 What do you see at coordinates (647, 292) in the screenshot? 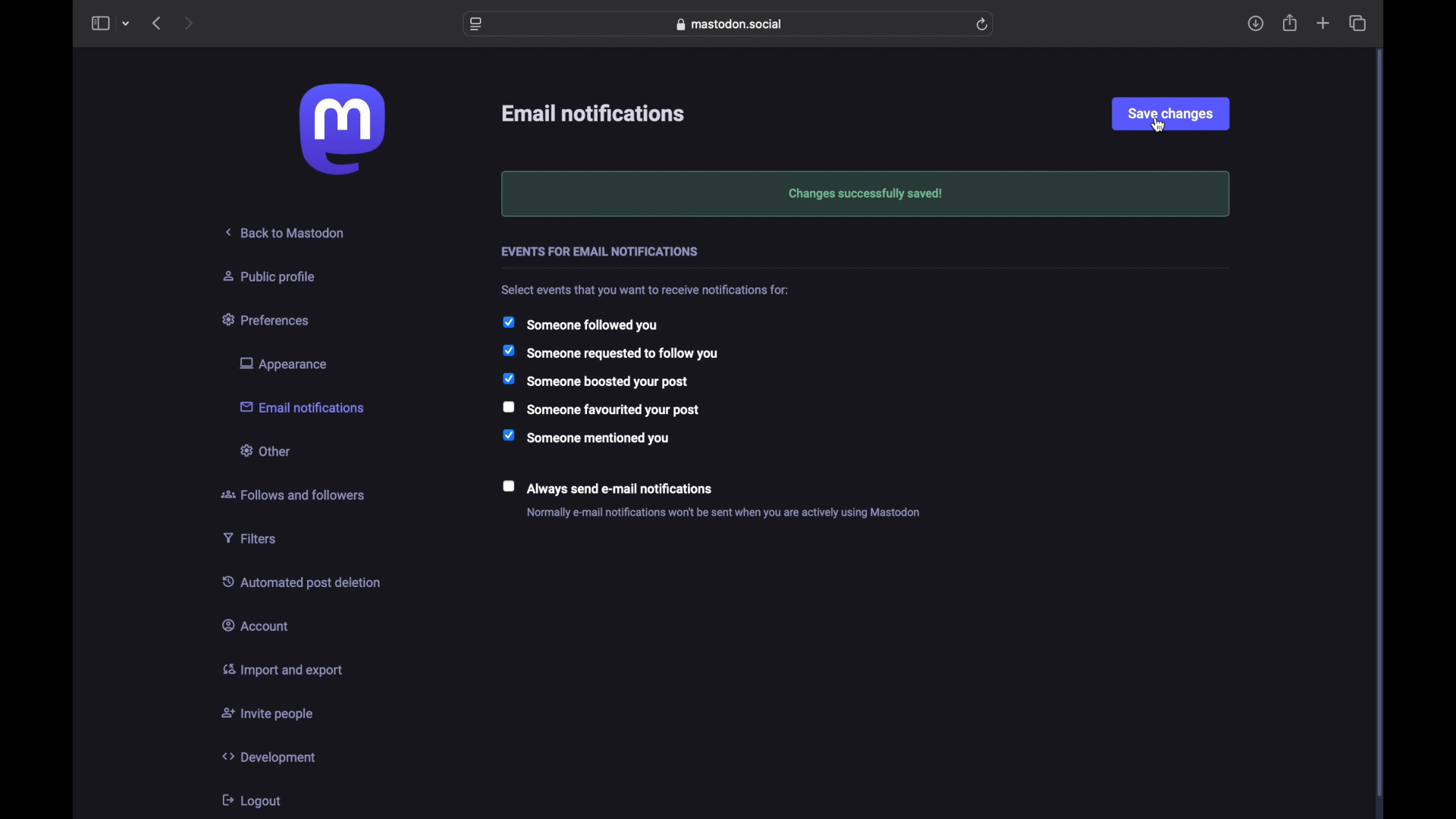
I see `info` at bounding box center [647, 292].